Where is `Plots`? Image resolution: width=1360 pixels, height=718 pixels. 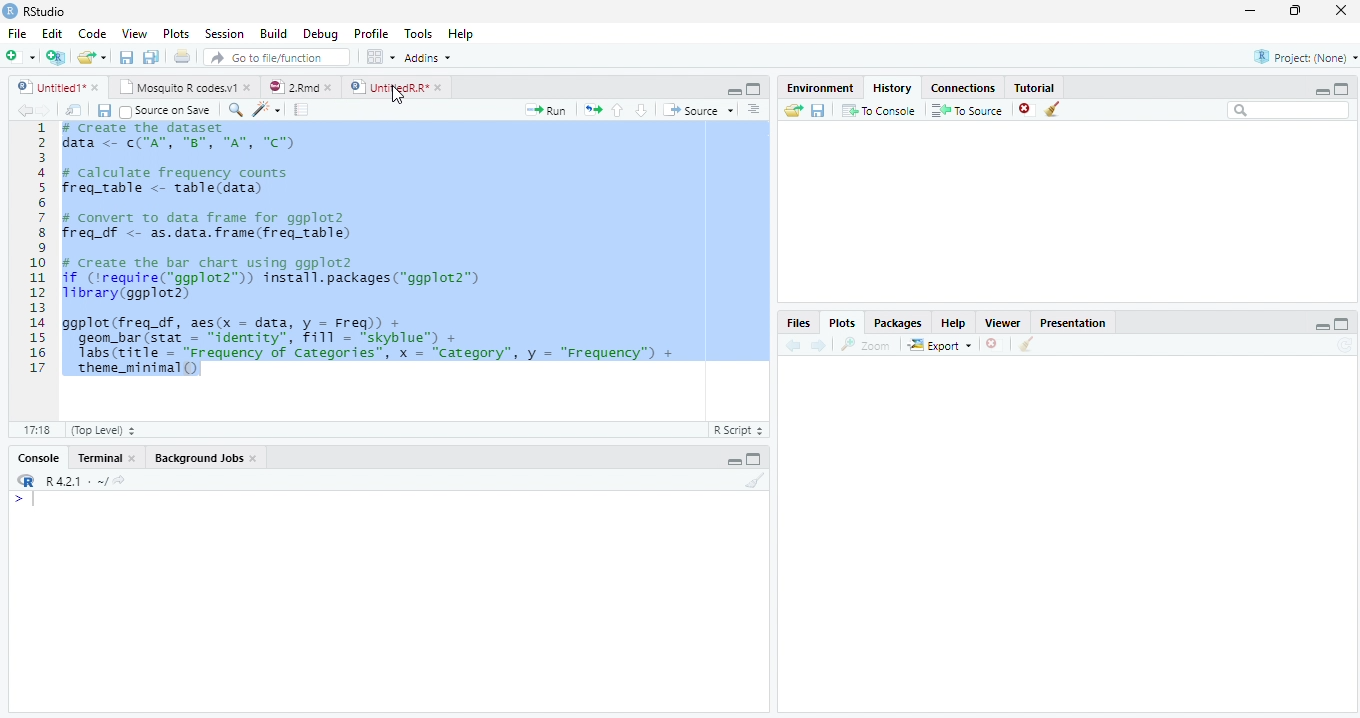
Plots is located at coordinates (177, 35).